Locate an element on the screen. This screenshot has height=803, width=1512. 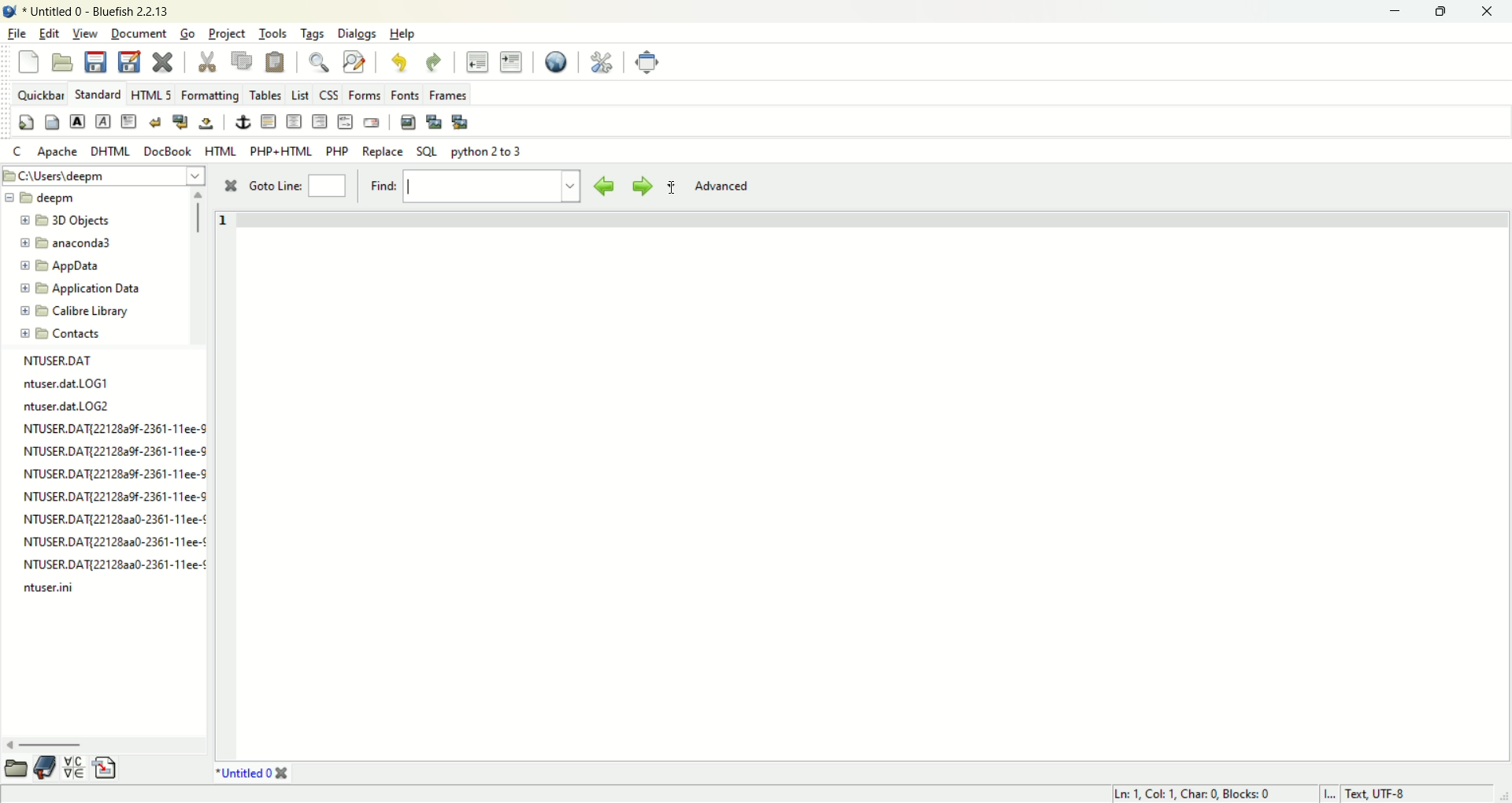
application data is located at coordinates (80, 289).